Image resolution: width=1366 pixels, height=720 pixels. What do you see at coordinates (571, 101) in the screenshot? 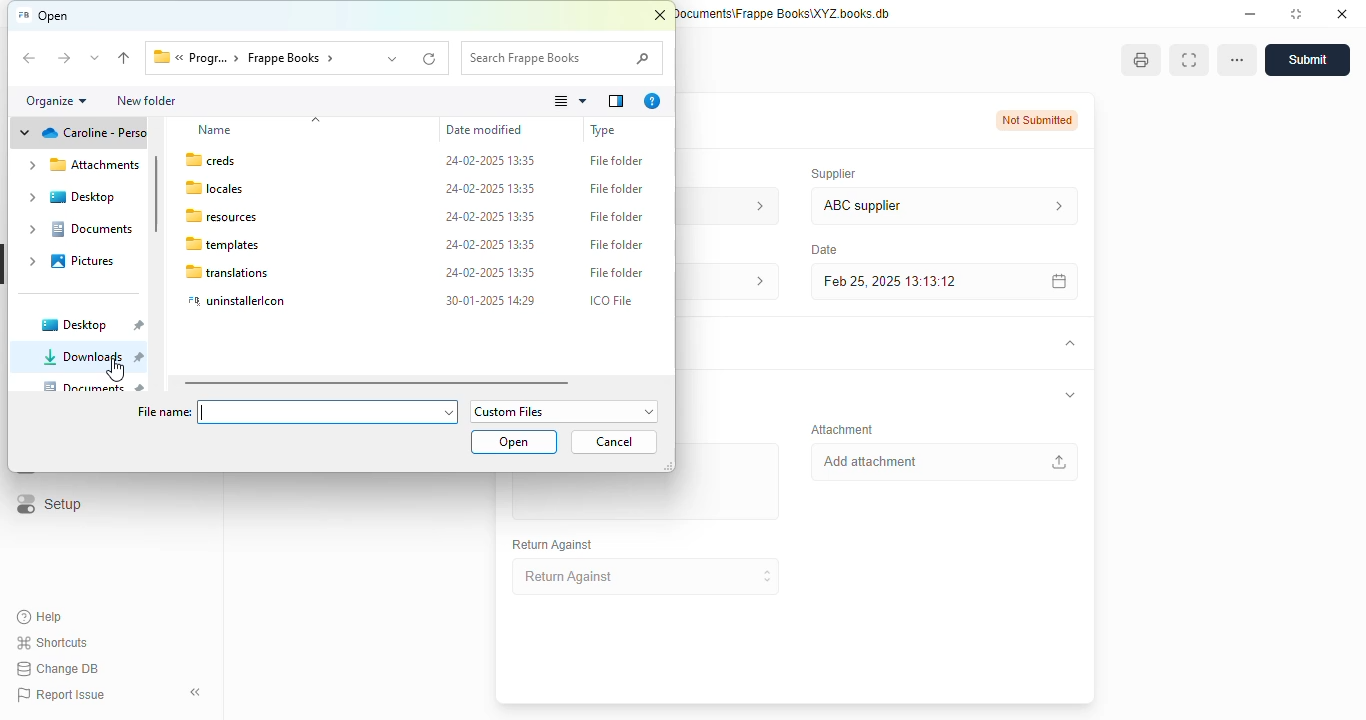
I see `change your view` at bounding box center [571, 101].